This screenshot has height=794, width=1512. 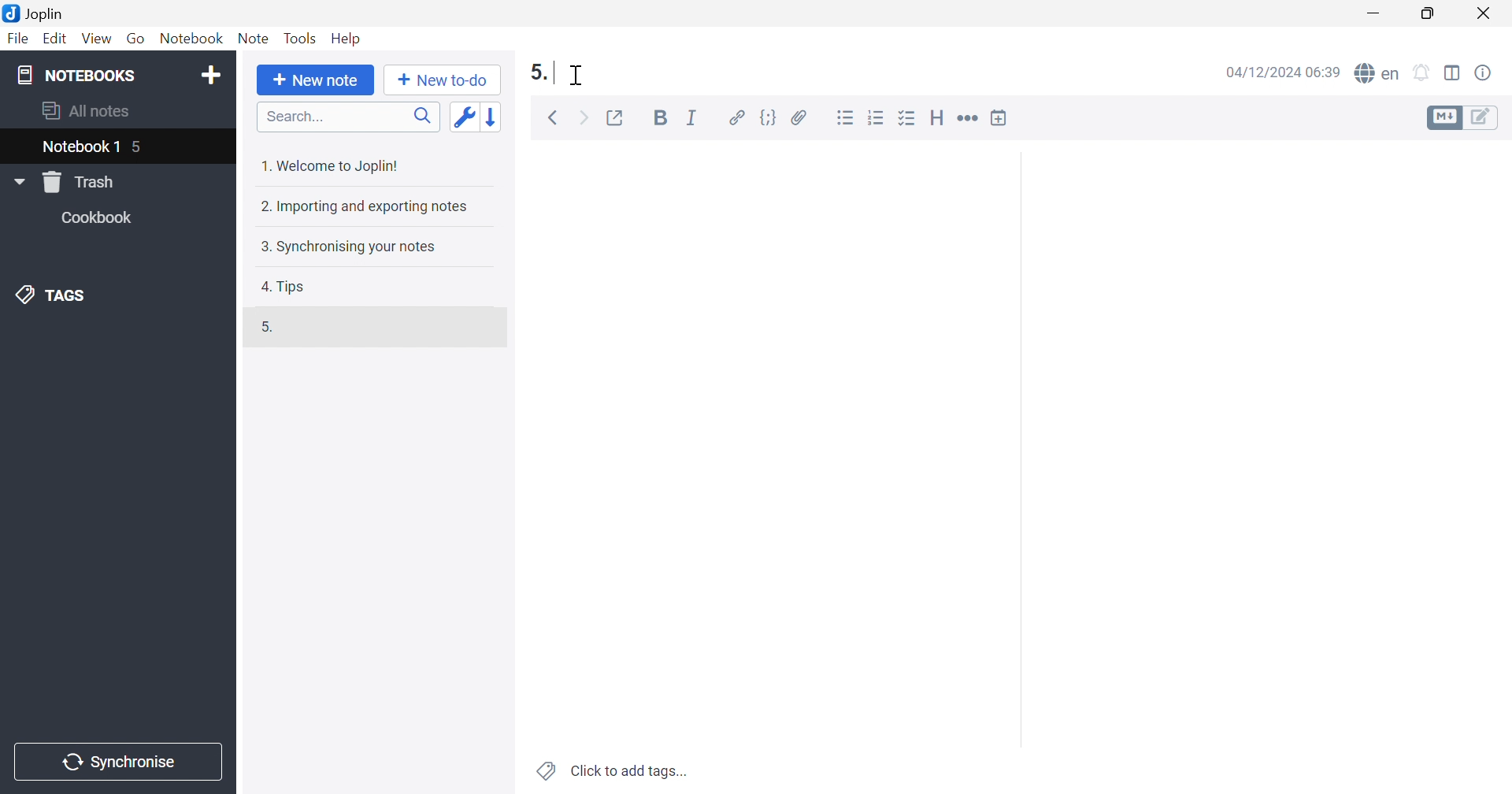 What do you see at coordinates (300, 38) in the screenshot?
I see `Tools` at bounding box center [300, 38].